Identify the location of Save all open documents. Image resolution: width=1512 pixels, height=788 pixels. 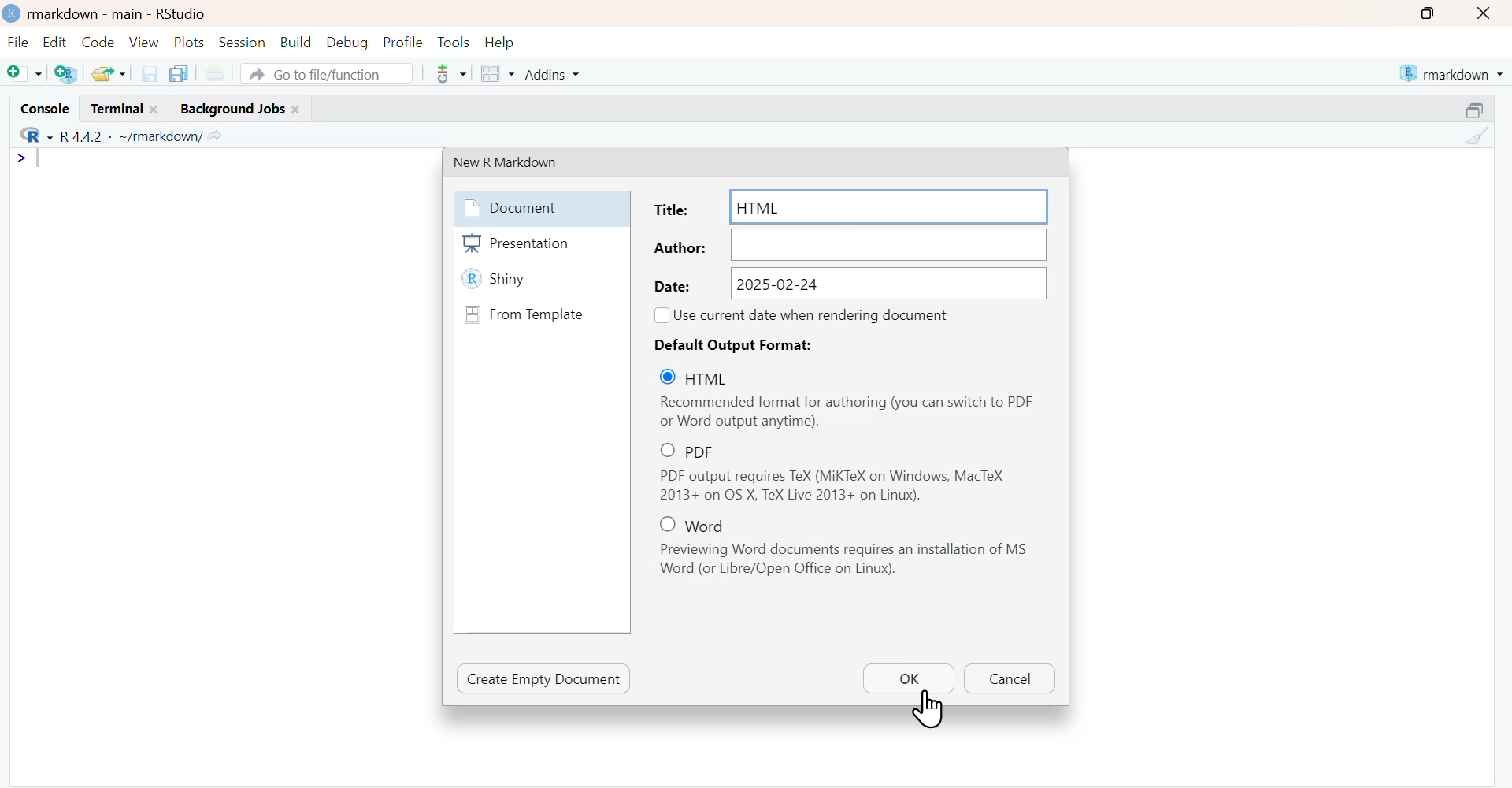
(181, 74).